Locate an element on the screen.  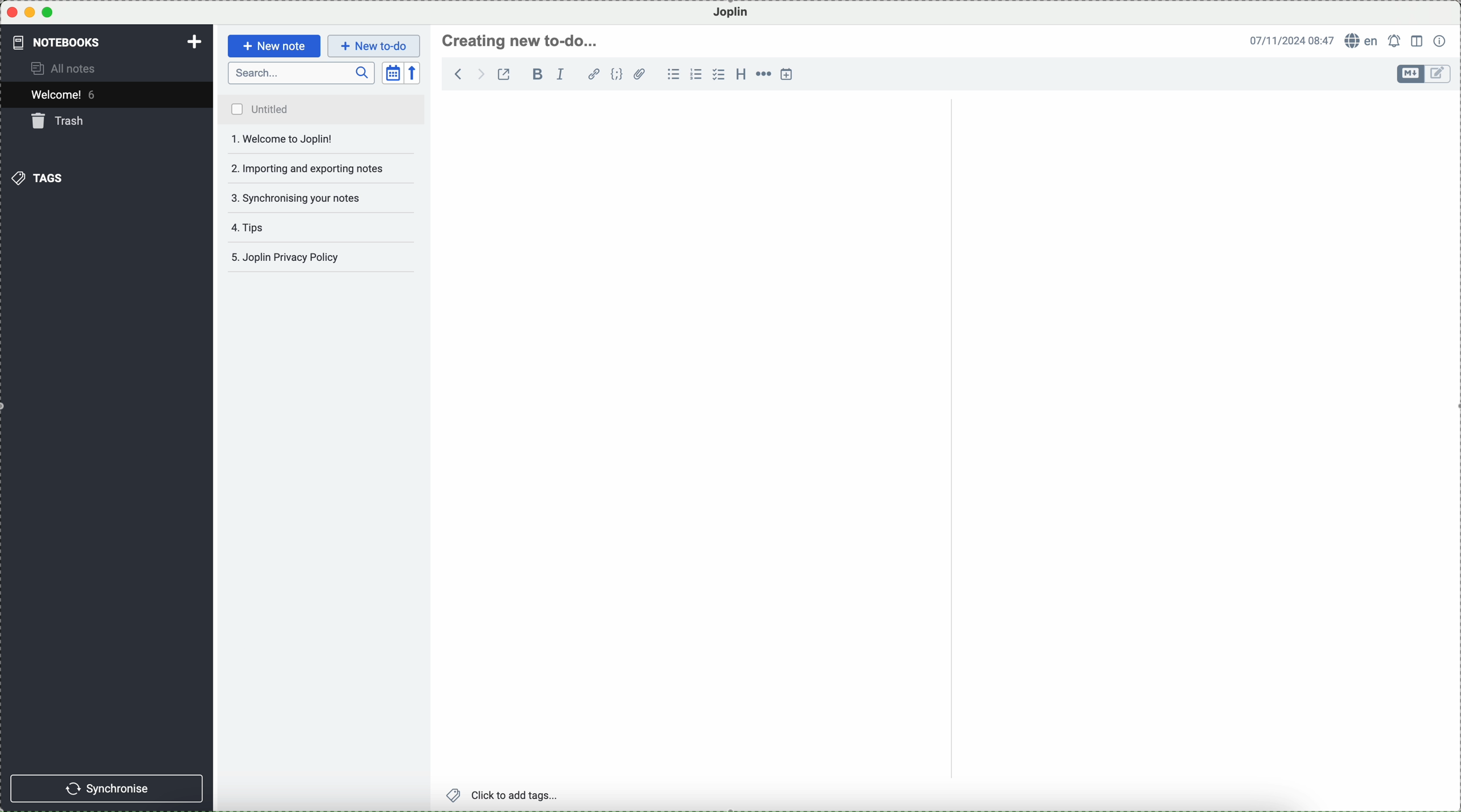
insert time is located at coordinates (787, 74).